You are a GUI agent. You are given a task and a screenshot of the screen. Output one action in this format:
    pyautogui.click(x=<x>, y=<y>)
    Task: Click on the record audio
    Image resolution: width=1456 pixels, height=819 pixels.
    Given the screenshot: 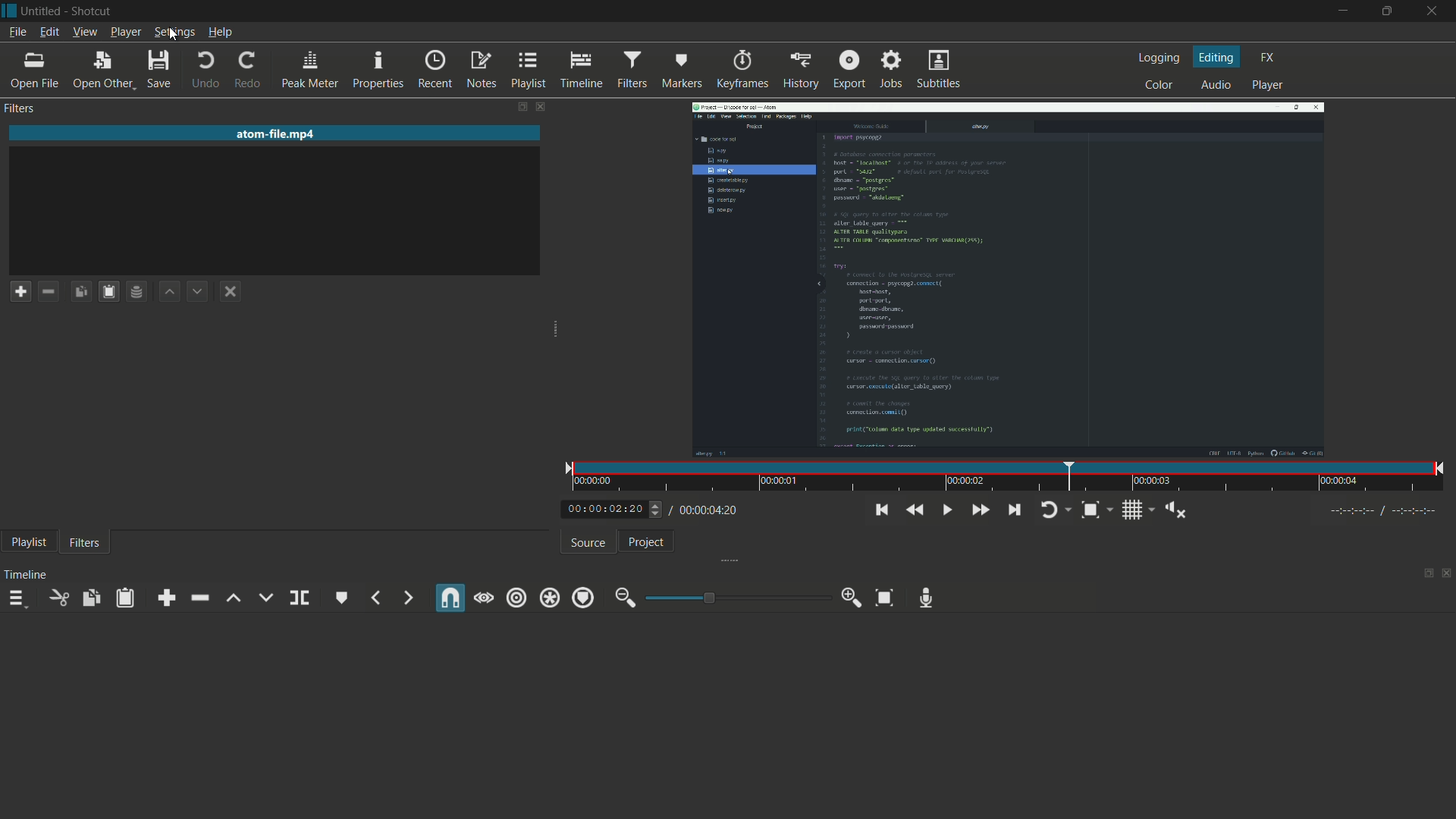 What is the action you would take?
    pyautogui.click(x=927, y=598)
    